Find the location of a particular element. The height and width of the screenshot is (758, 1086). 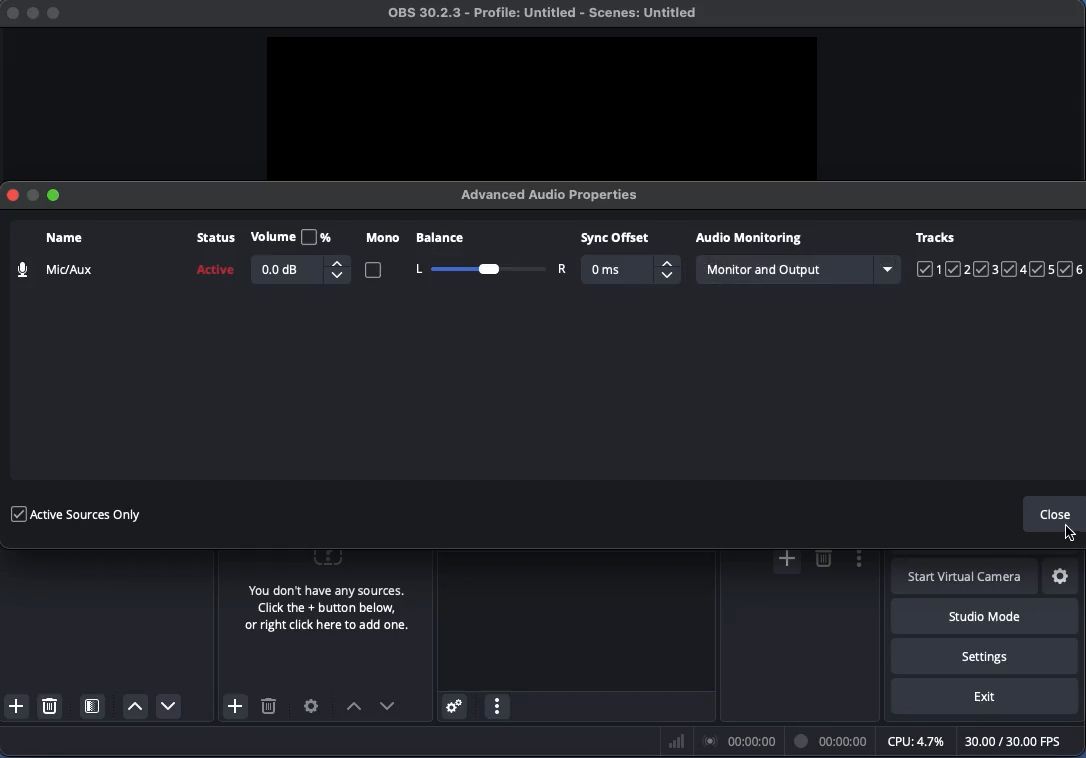

Name is located at coordinates (53, 256).